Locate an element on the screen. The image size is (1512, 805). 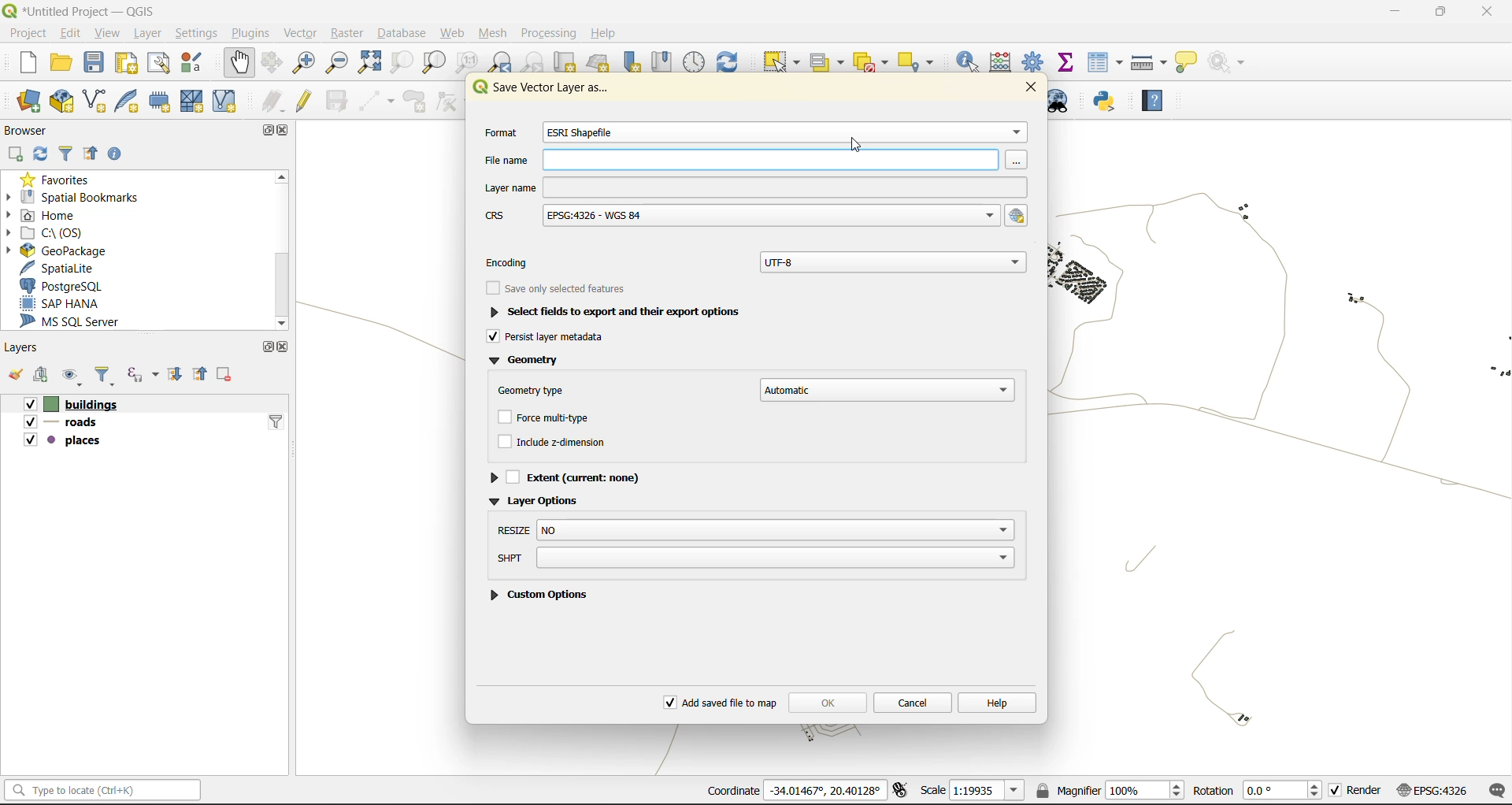
crs is located at coordinates (740, 217).